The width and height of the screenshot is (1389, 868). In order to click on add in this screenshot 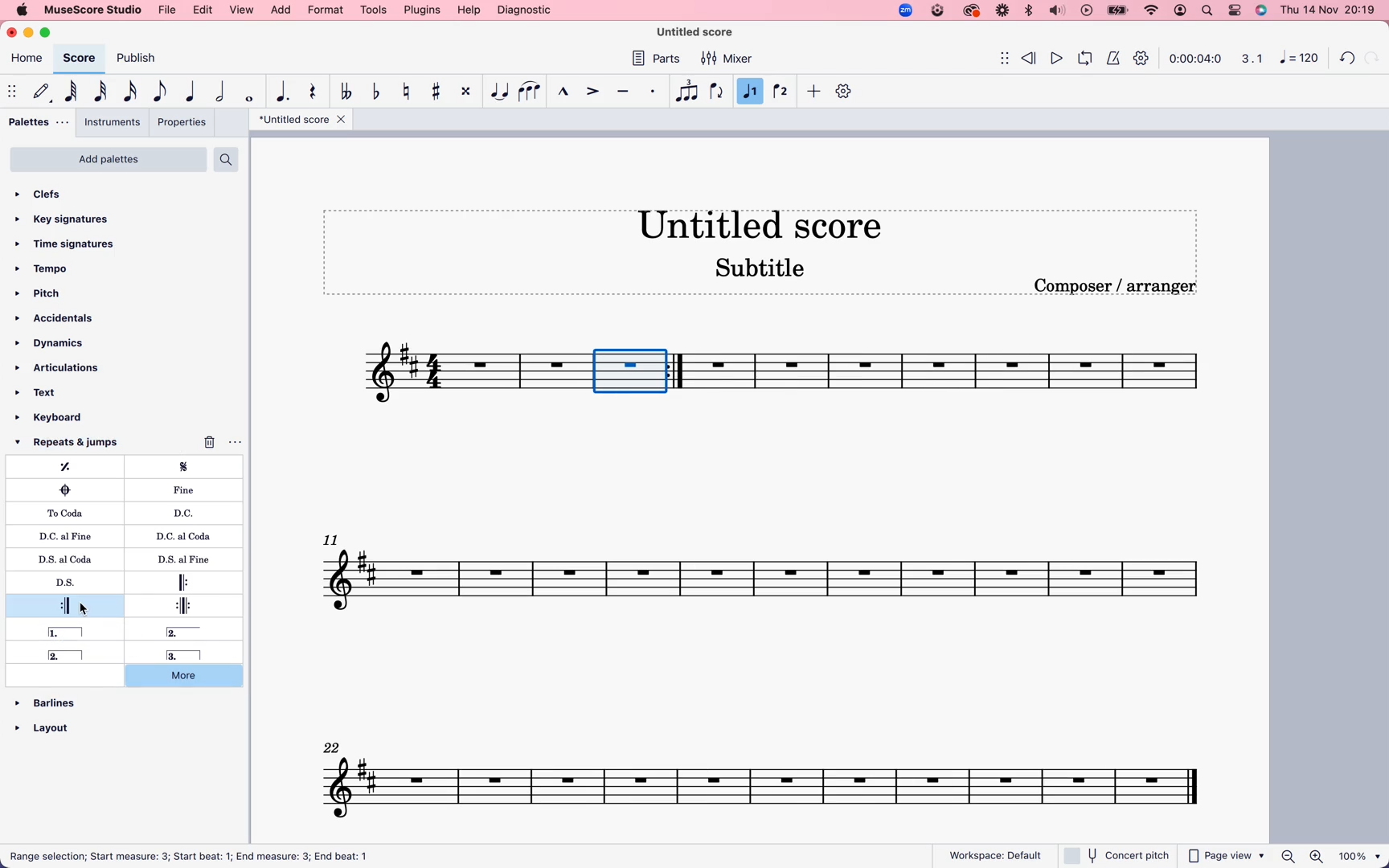, I will do `click(282, 10)`.